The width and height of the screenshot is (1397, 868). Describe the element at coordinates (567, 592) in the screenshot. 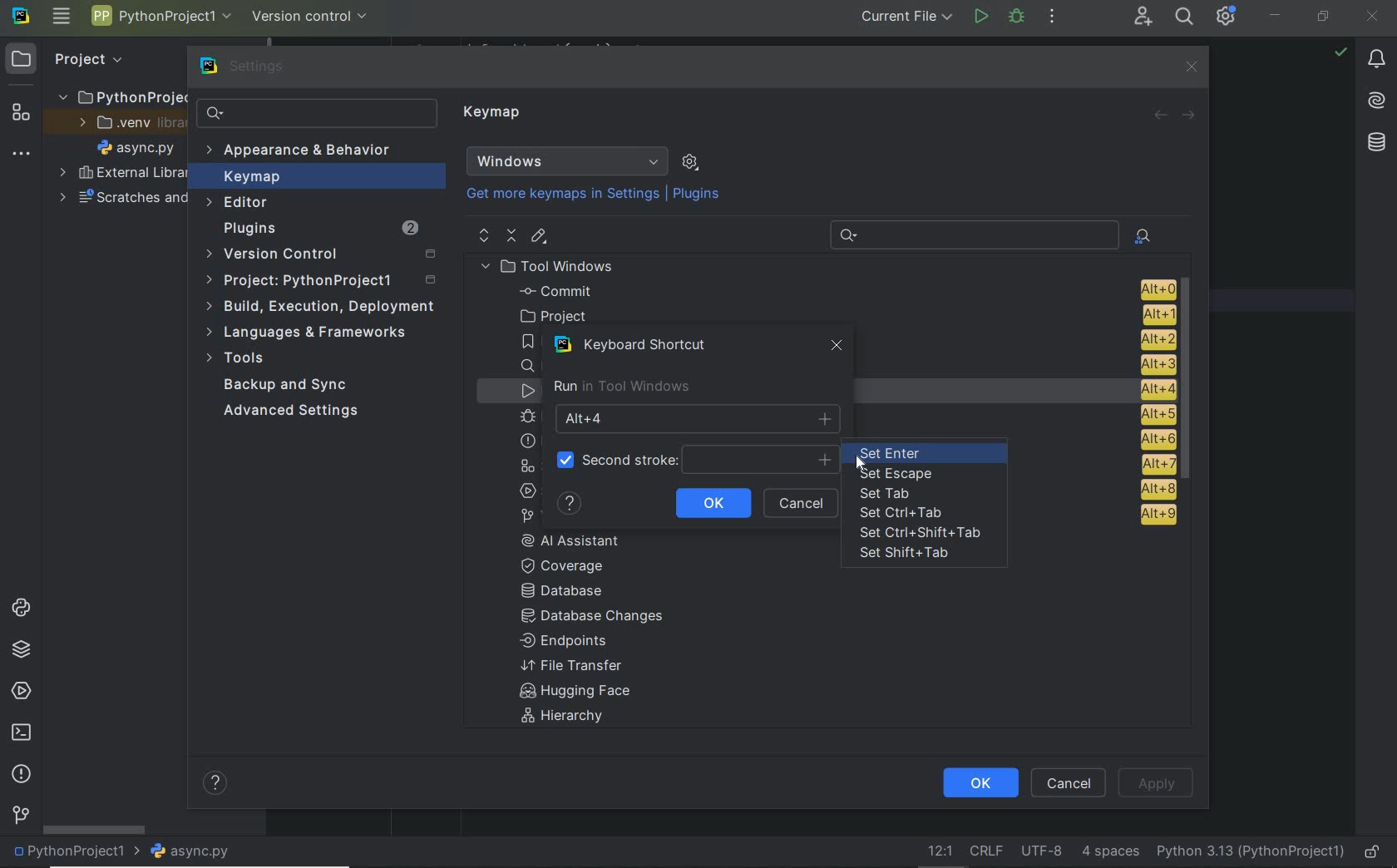

I see `Database` at that location.